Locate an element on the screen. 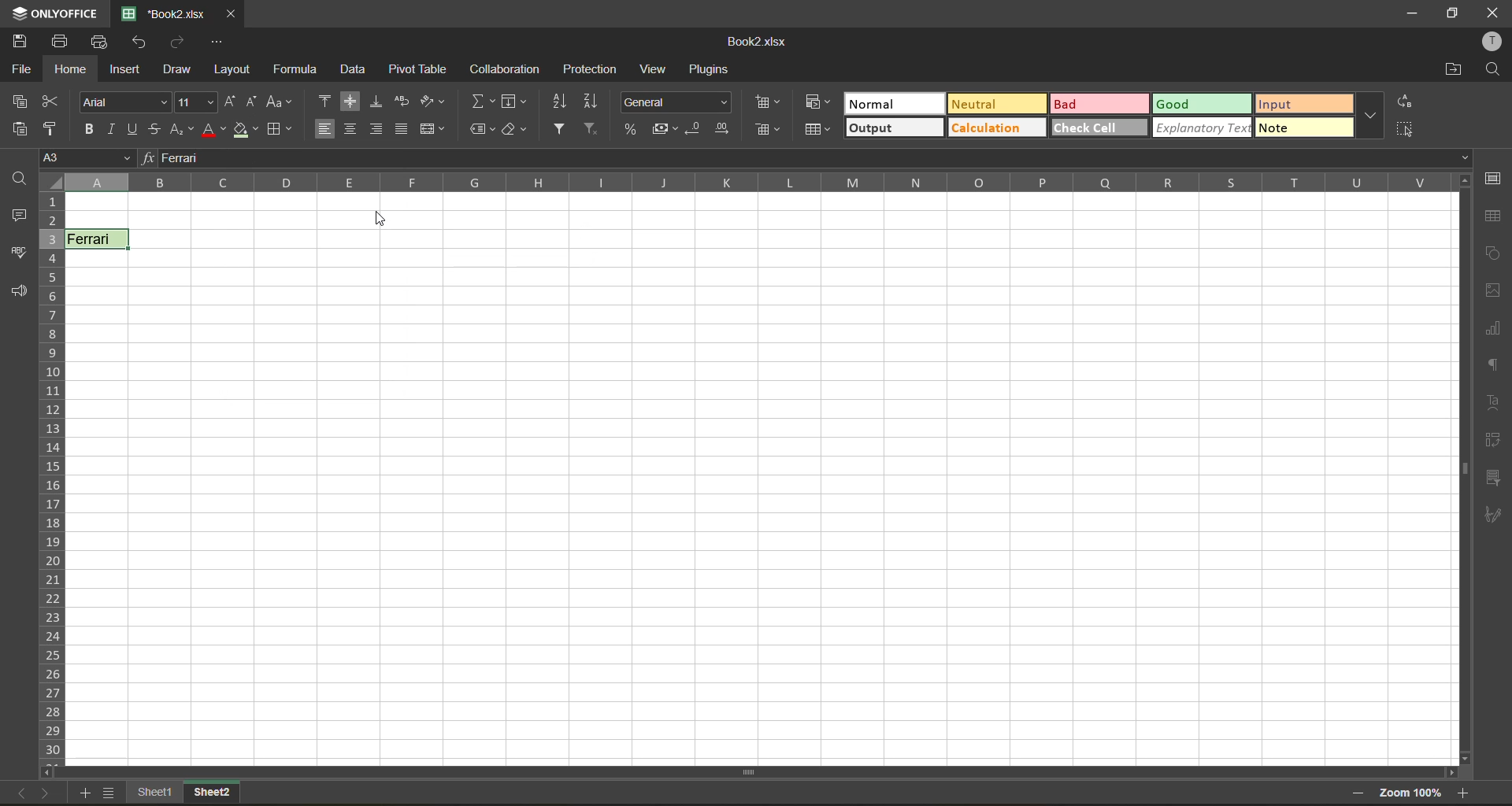 The image size is (1512, 806). increase decimal is located at coordinates (724, 130).